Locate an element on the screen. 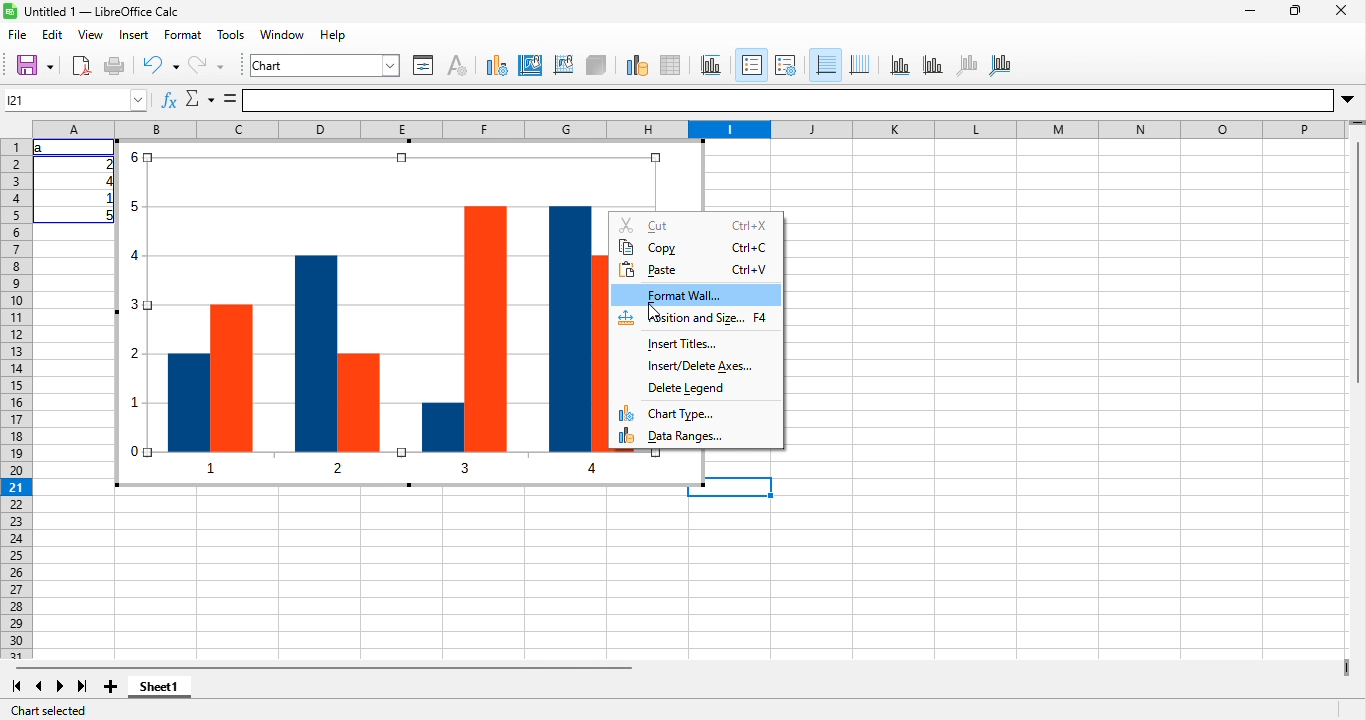 The image size is (1366, 720). undo is located at coordinates (161, 66).